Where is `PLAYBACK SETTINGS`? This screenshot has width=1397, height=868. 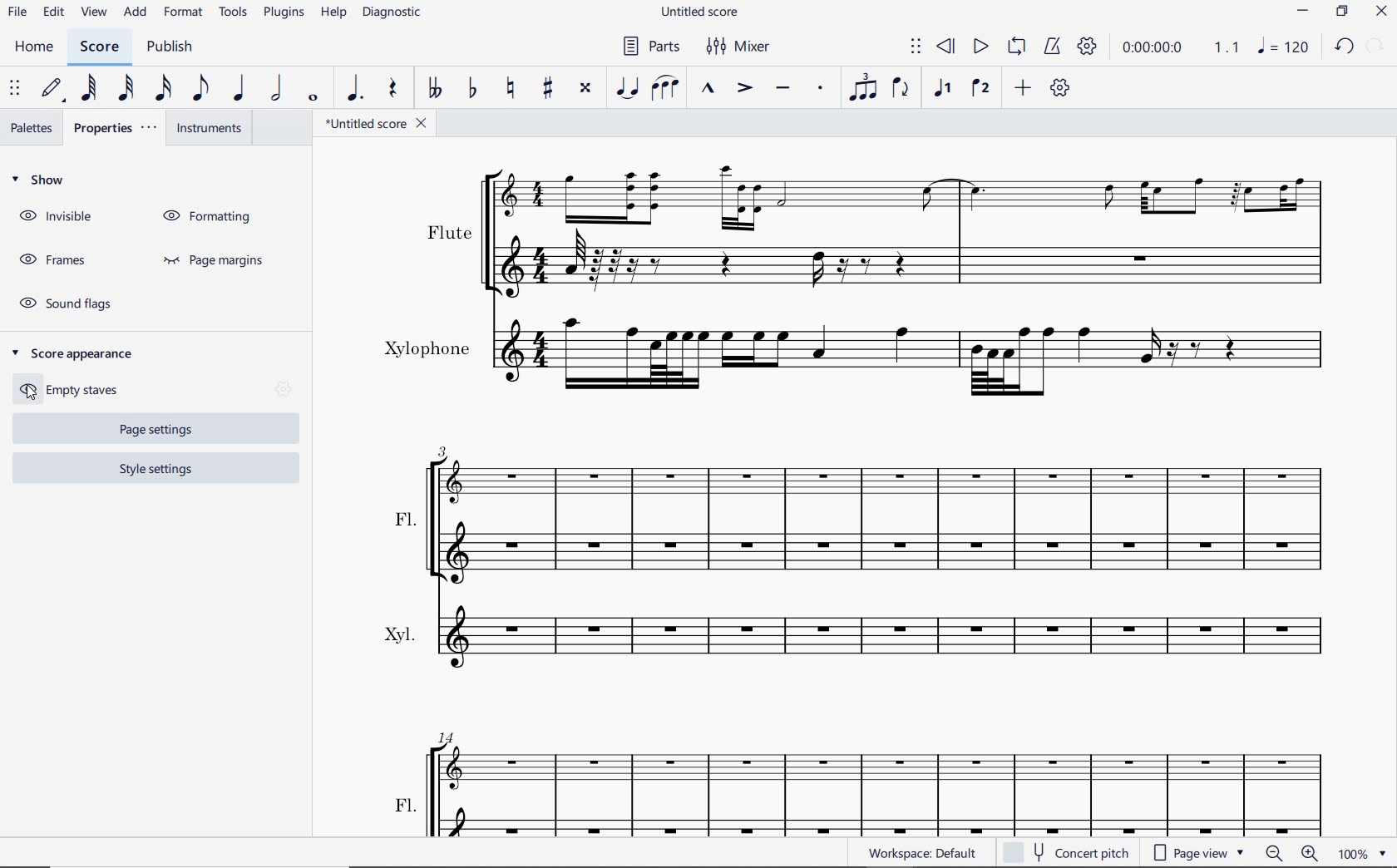
PLAYBACK SETTINGS is located at coordinates (1088, 48).